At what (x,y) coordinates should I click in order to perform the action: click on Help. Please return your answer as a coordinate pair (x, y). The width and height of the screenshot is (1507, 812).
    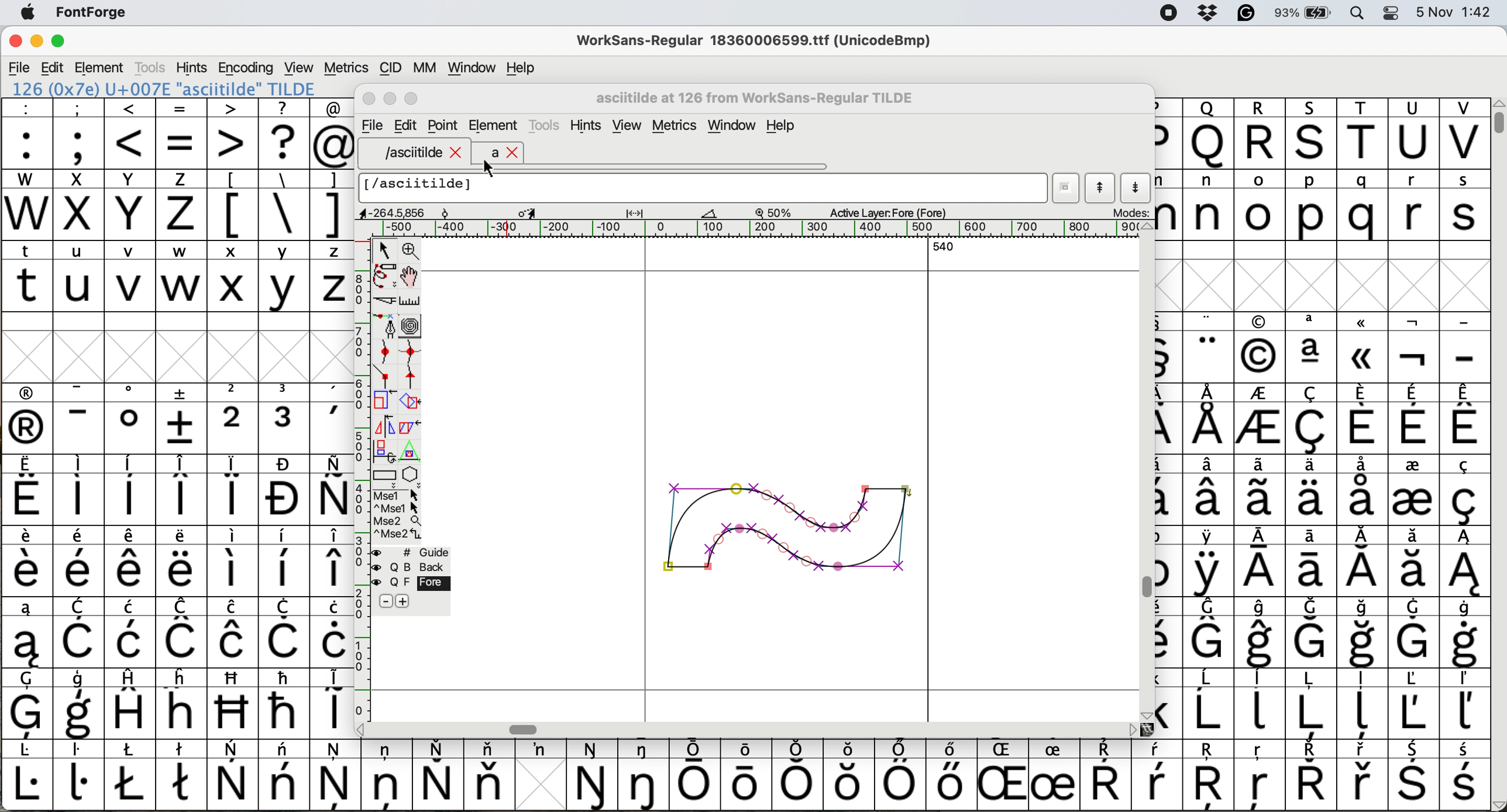
    Looking at the image, I should click on (780, 127).